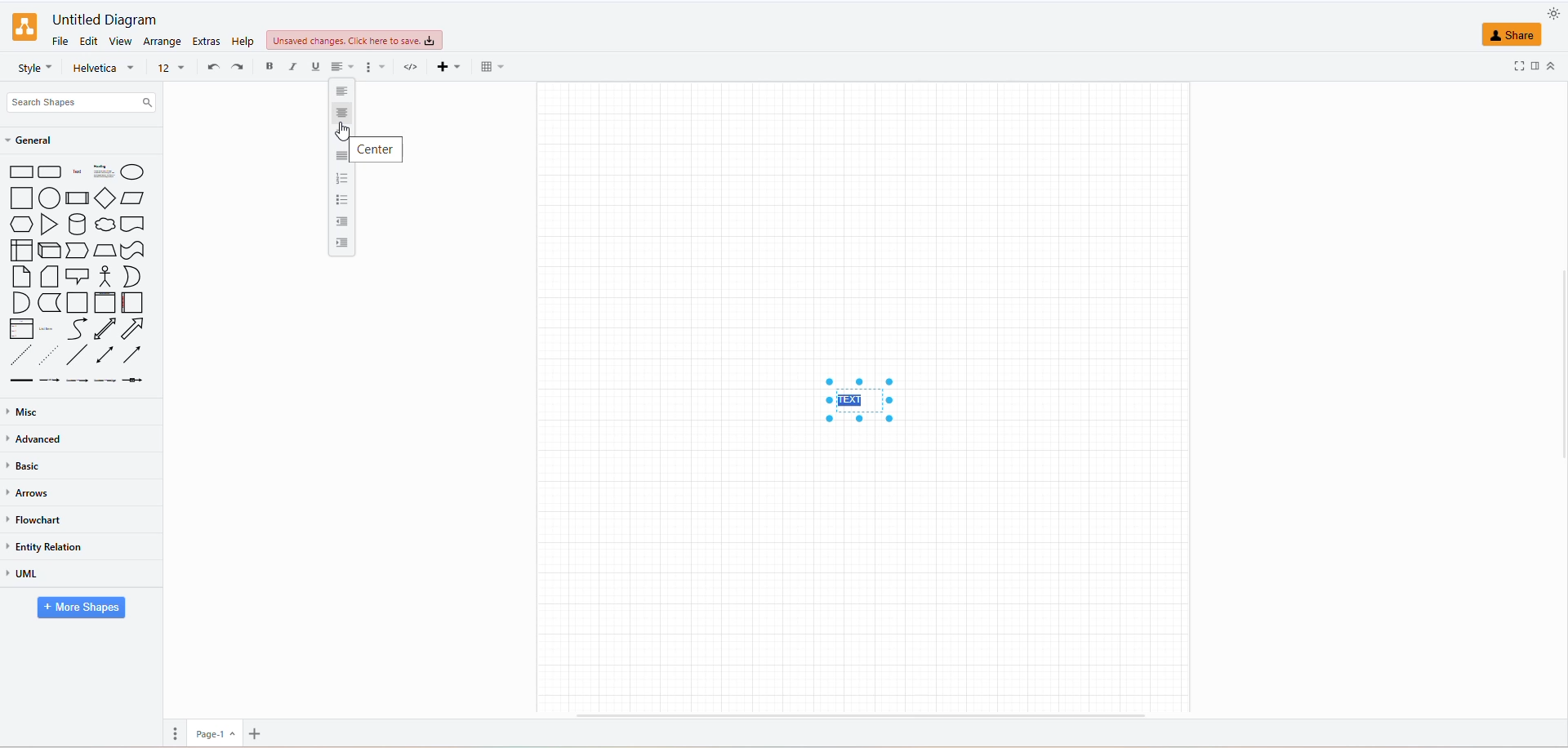 The image size is (1568, 748). What do you see at coordinates (82, 101) in the screenshot?
I see `search shapes` at bounding box center [82, 101].